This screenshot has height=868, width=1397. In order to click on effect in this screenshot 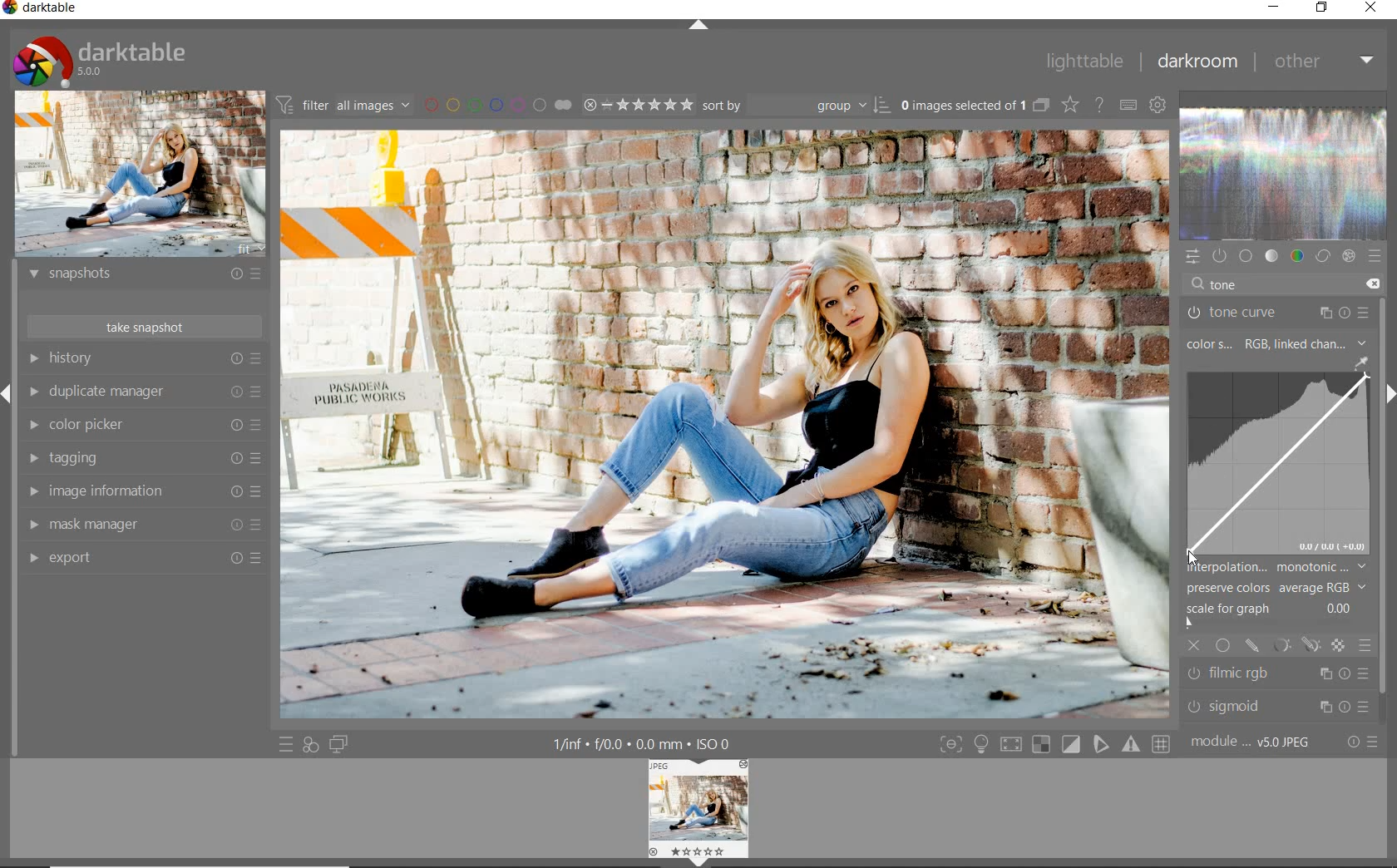, I will do `click(1349, 259)`.